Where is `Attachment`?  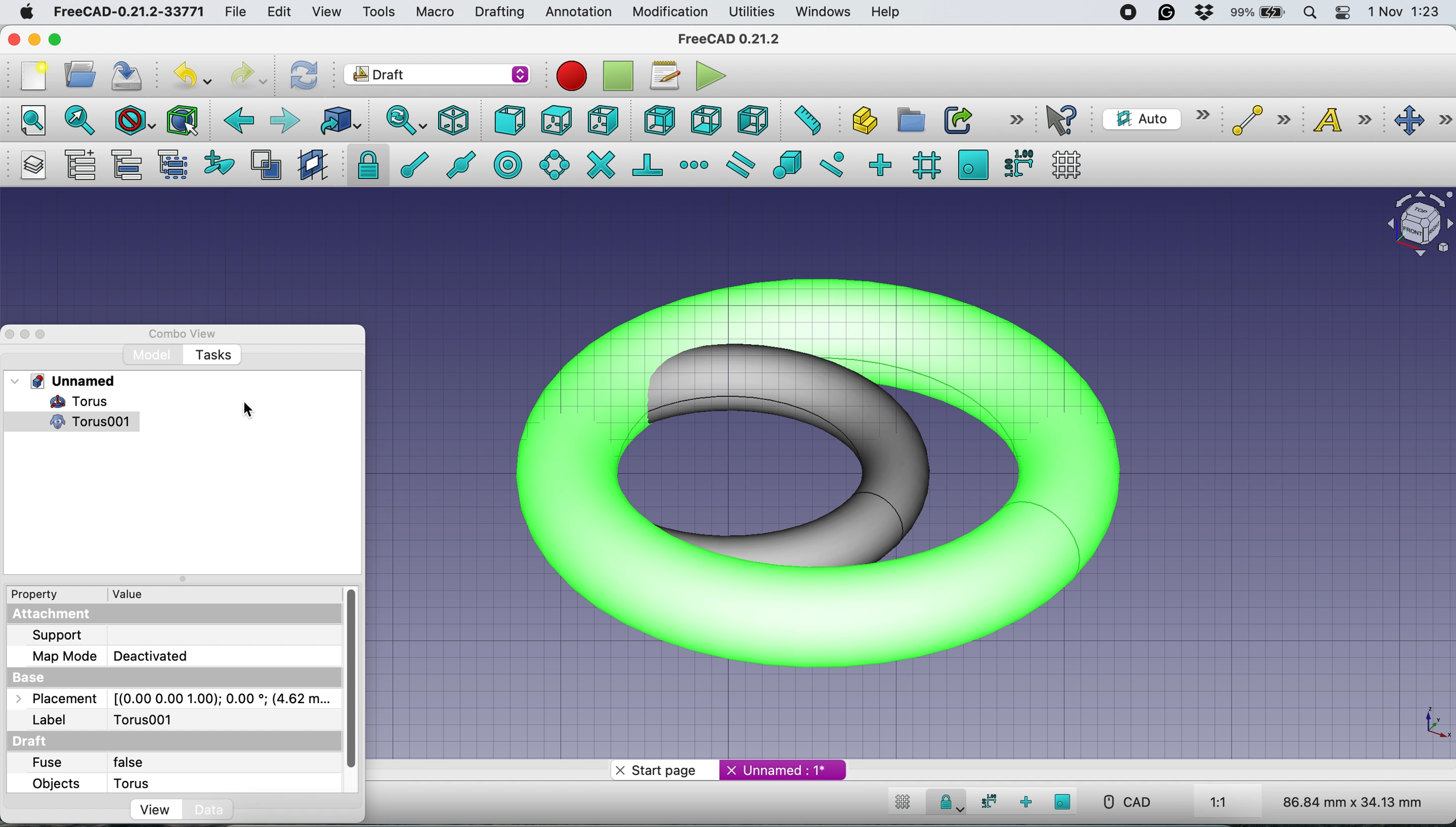 Attachment is located at coordinates (54, 613).